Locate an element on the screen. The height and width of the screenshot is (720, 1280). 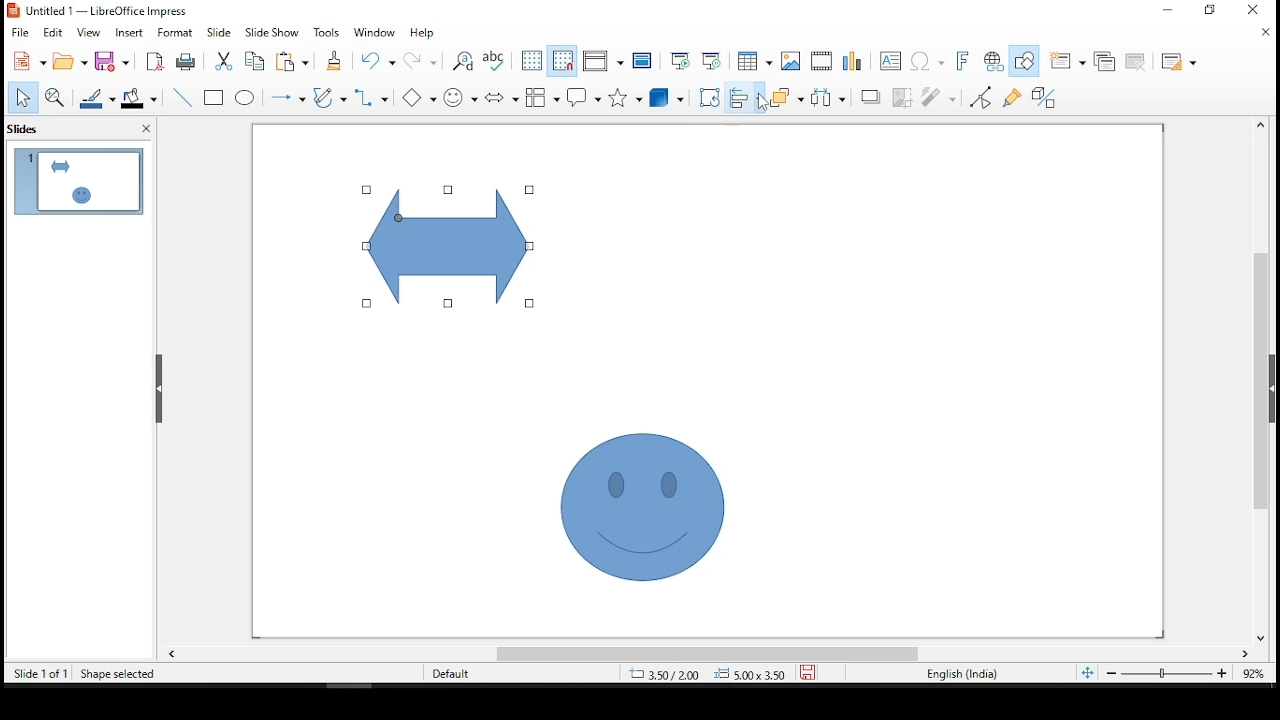
align objects is located at coordinates (743, 97).